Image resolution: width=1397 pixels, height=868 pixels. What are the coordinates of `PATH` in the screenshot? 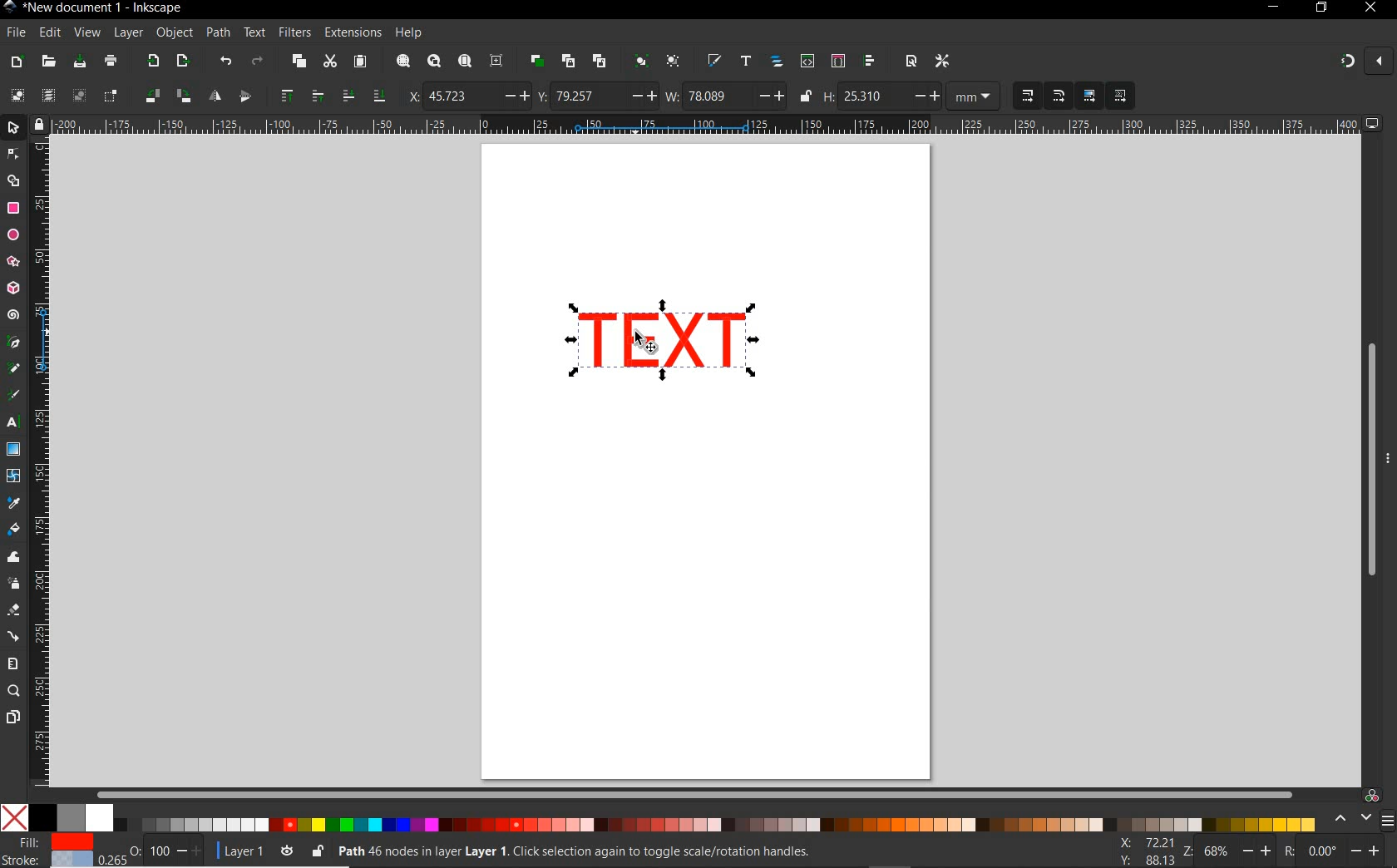 It's located at (217, 36).